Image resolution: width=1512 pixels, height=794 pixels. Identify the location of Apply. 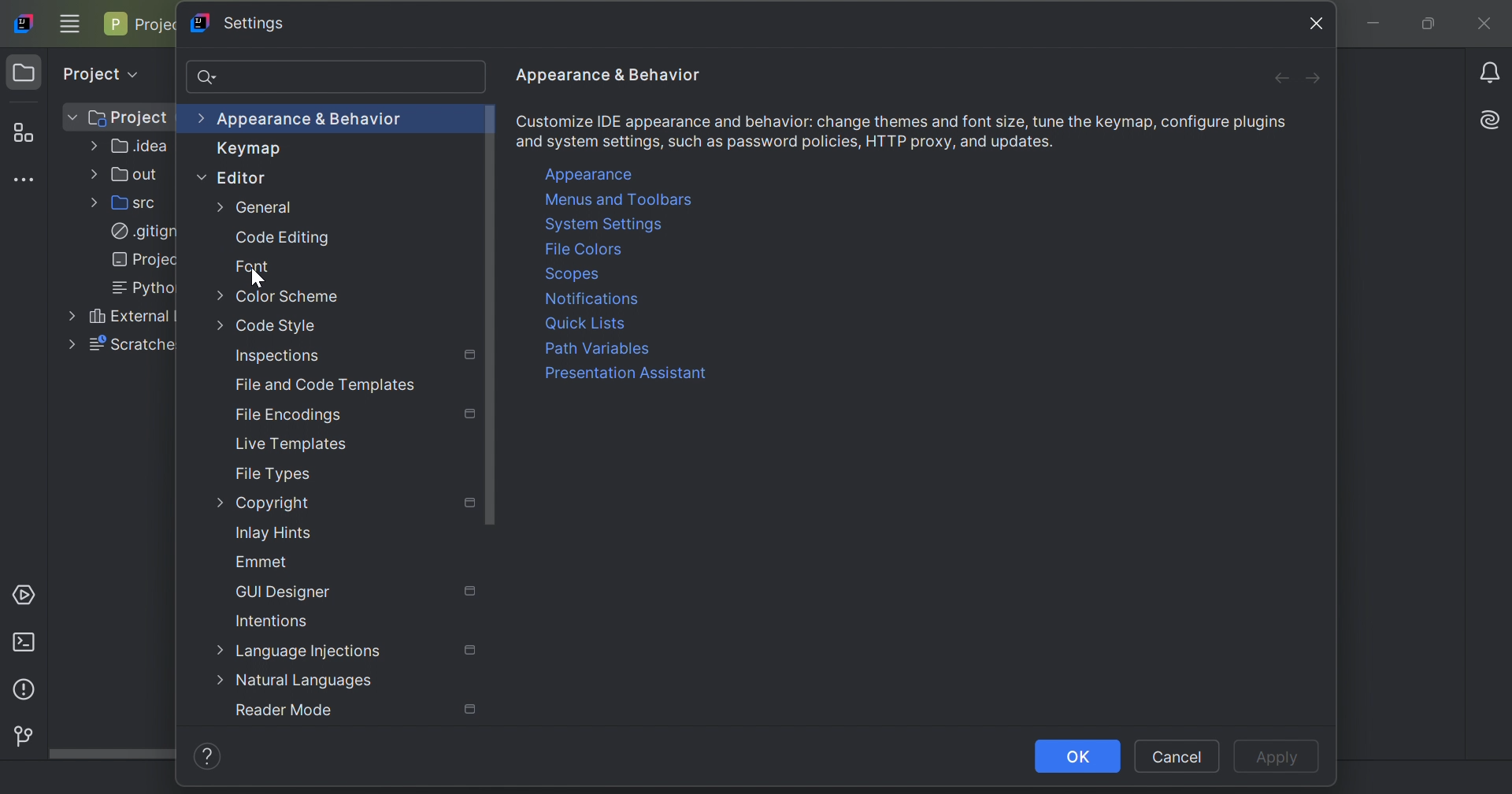
(1281, 759).